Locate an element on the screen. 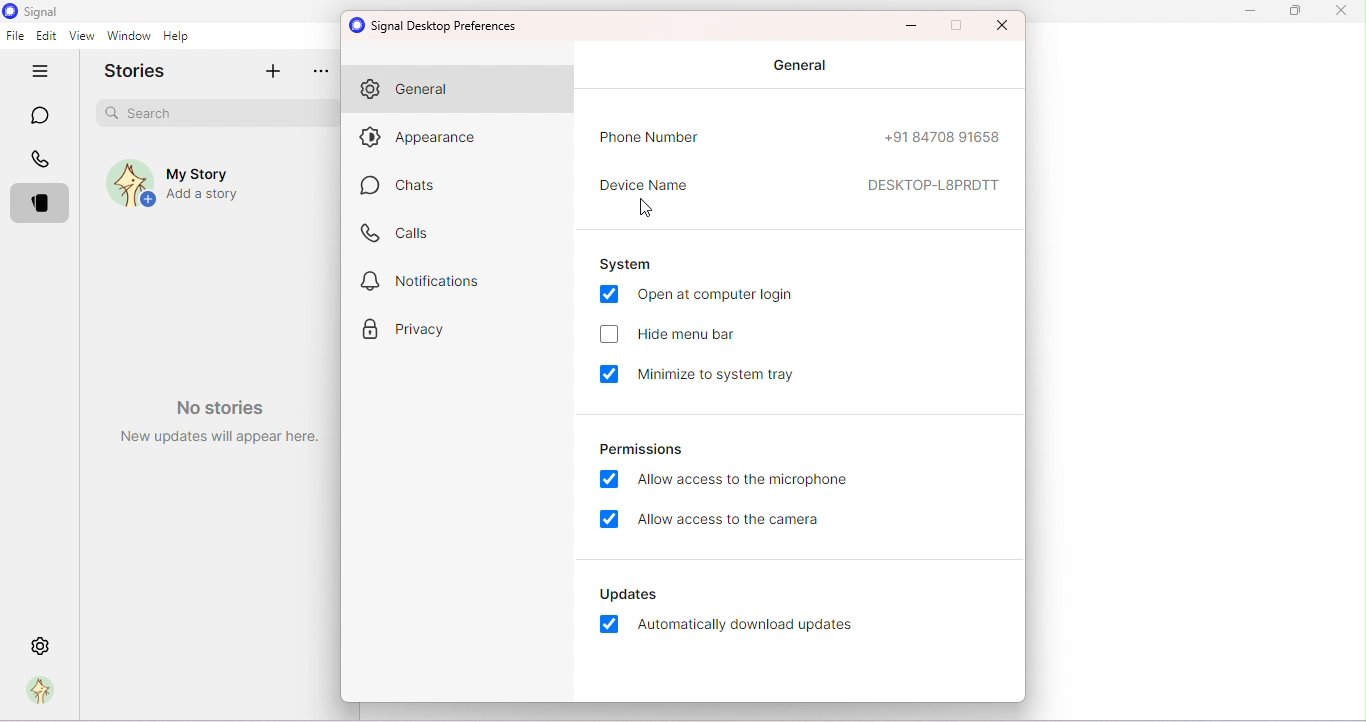 The image size is (1366, 722). Calls is located at coordinates (44, 164).